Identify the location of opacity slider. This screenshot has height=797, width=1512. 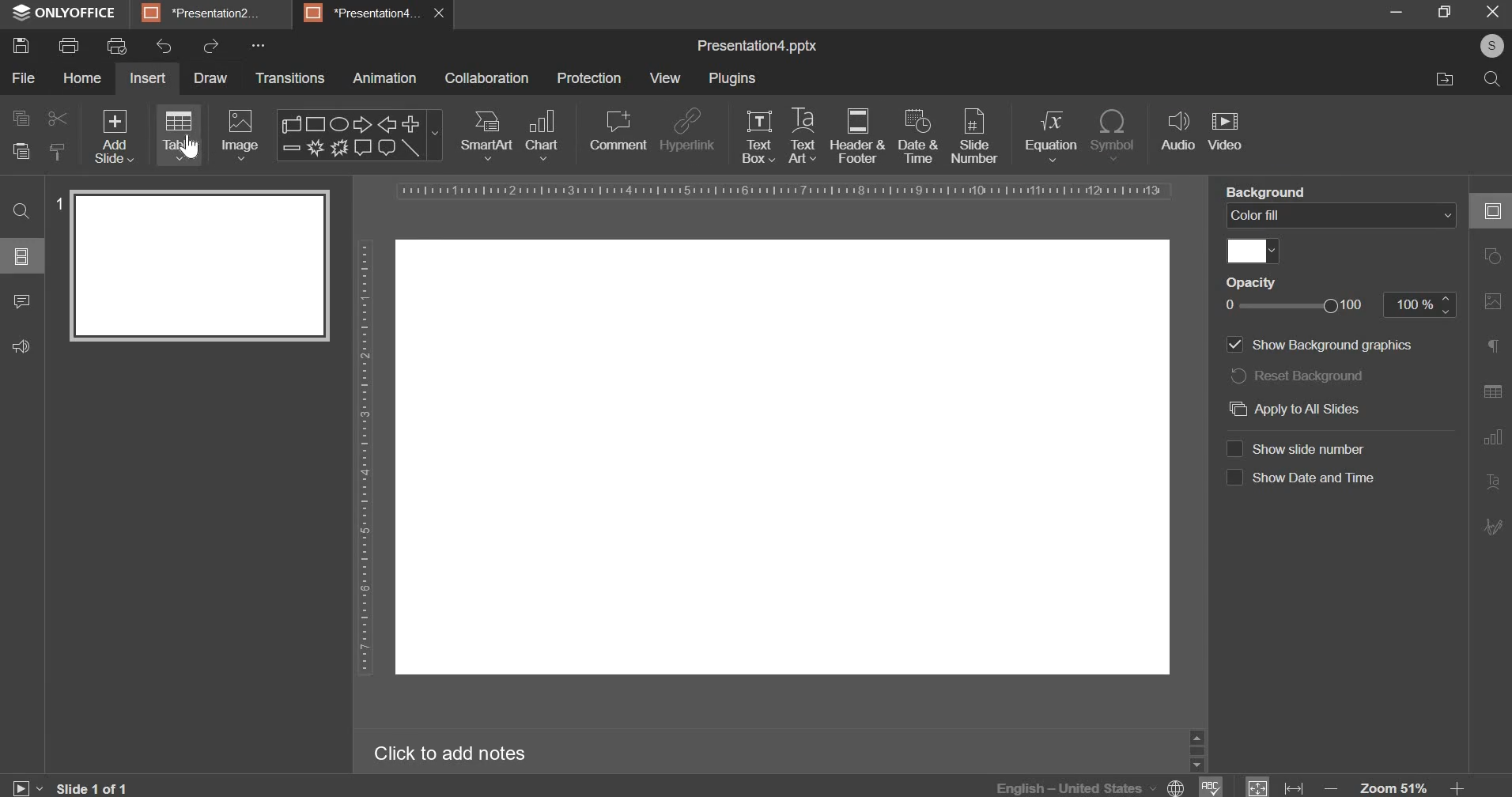
(1292, 306).